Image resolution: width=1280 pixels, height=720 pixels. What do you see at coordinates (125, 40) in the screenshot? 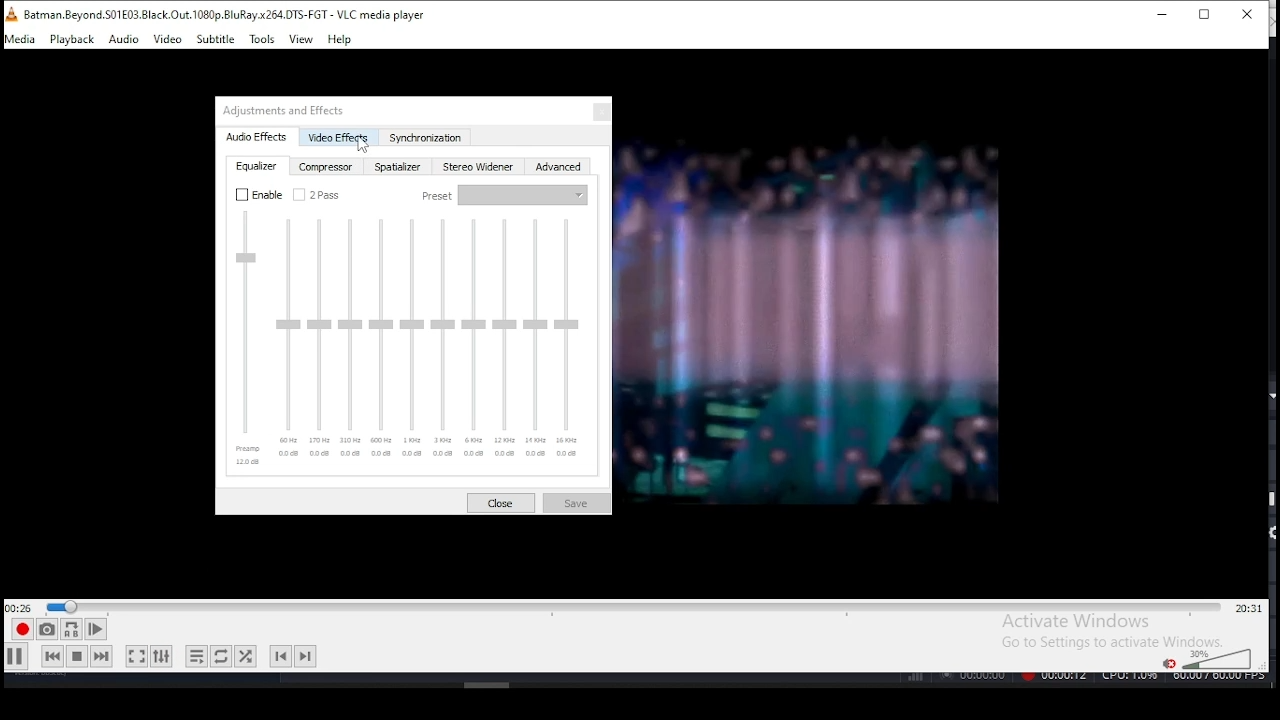
I see `audio` at bounding box center [125, 40].